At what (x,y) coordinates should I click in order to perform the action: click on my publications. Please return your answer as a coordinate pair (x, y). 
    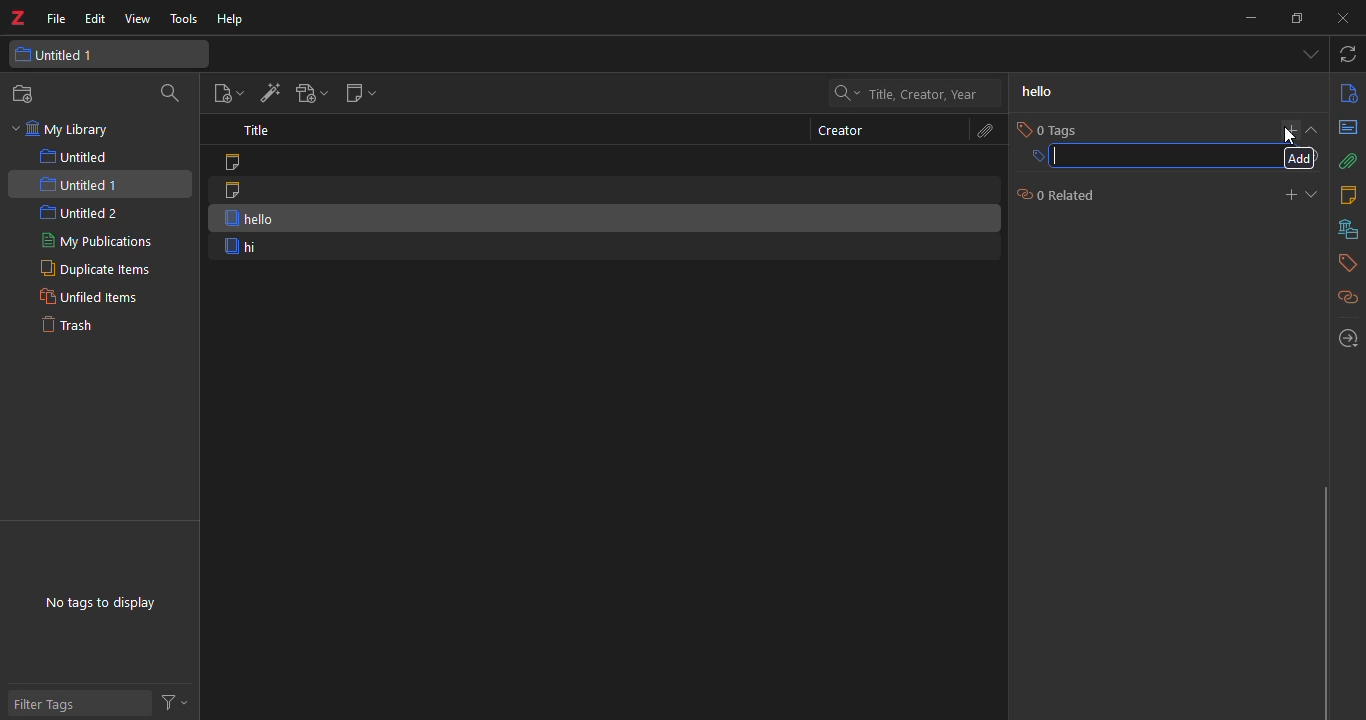
    Looking at the image, I should click on (92, 242).